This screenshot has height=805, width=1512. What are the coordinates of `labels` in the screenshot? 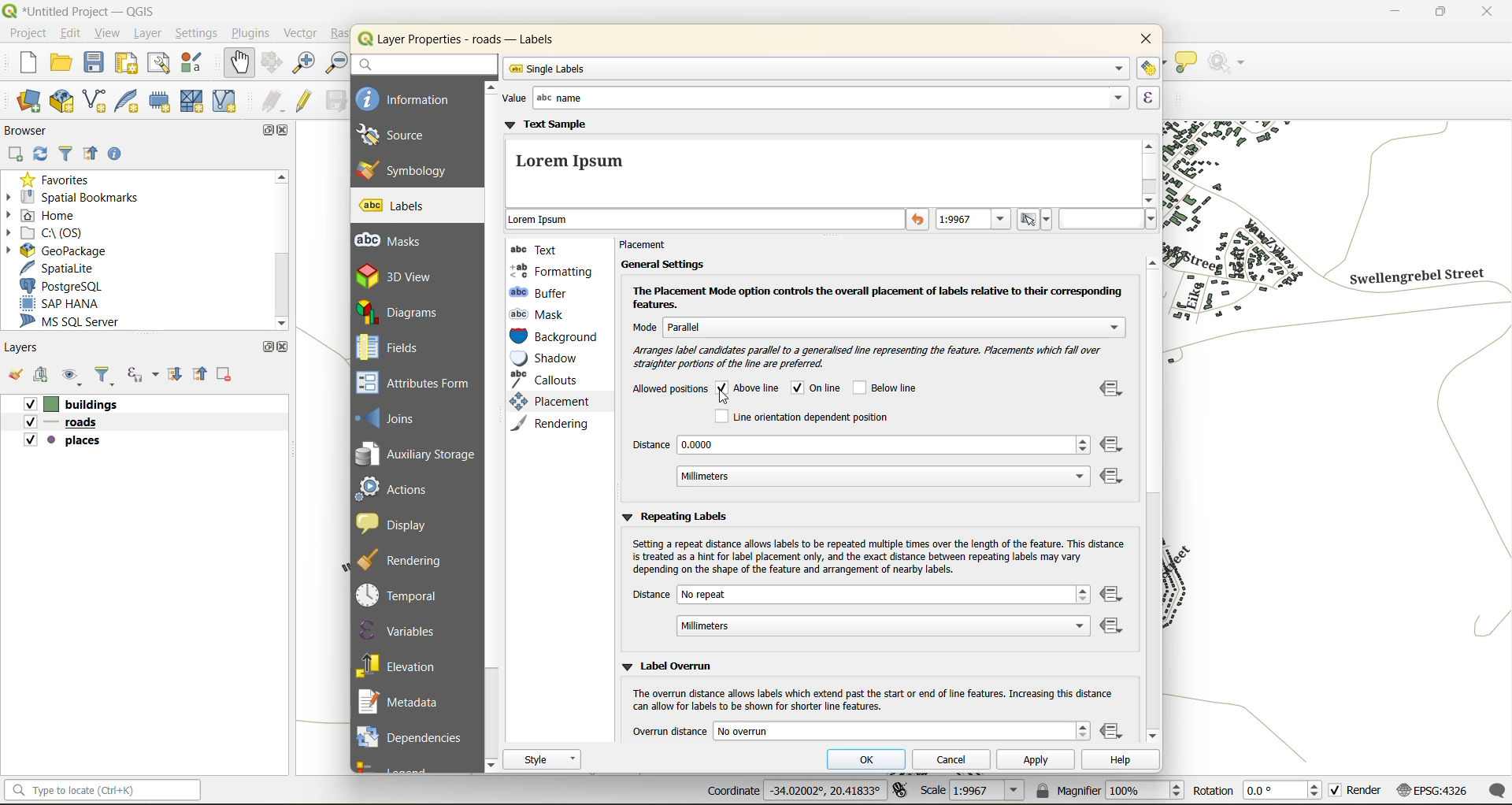 It's located at (395, 206).